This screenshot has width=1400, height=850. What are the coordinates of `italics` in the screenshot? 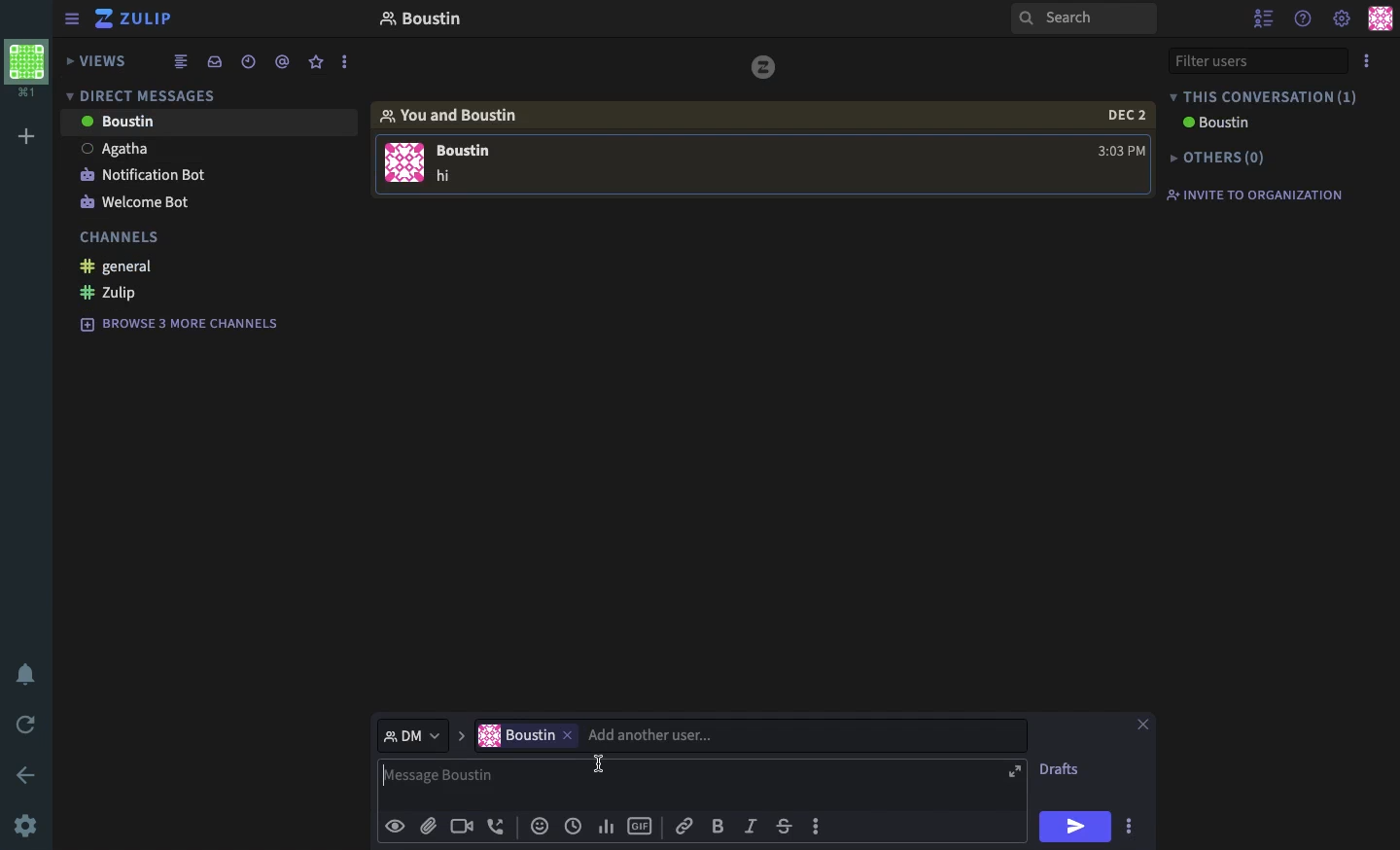 It's located at (752, 825).